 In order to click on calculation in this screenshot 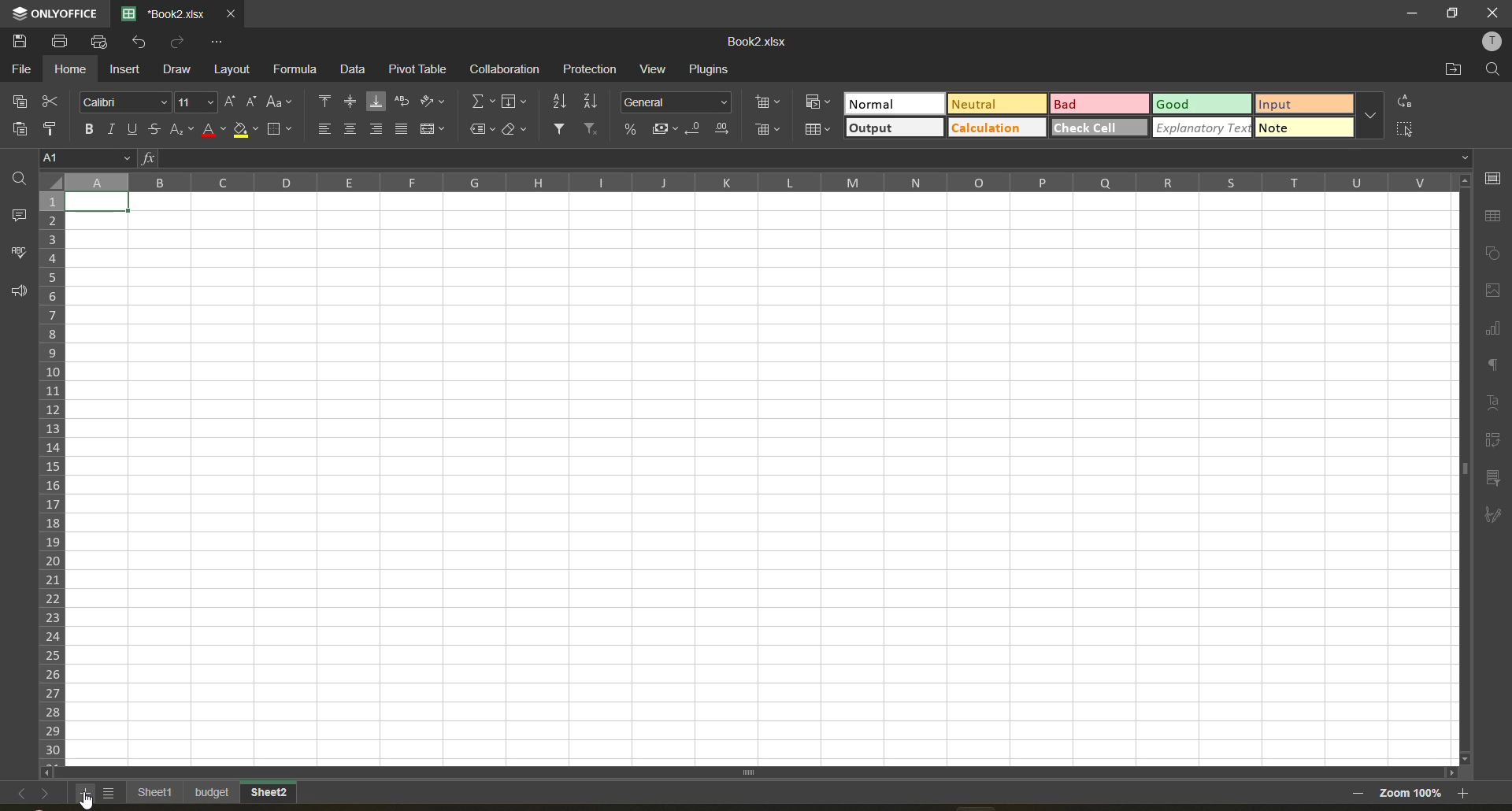, I will do `click(996, 129)`.